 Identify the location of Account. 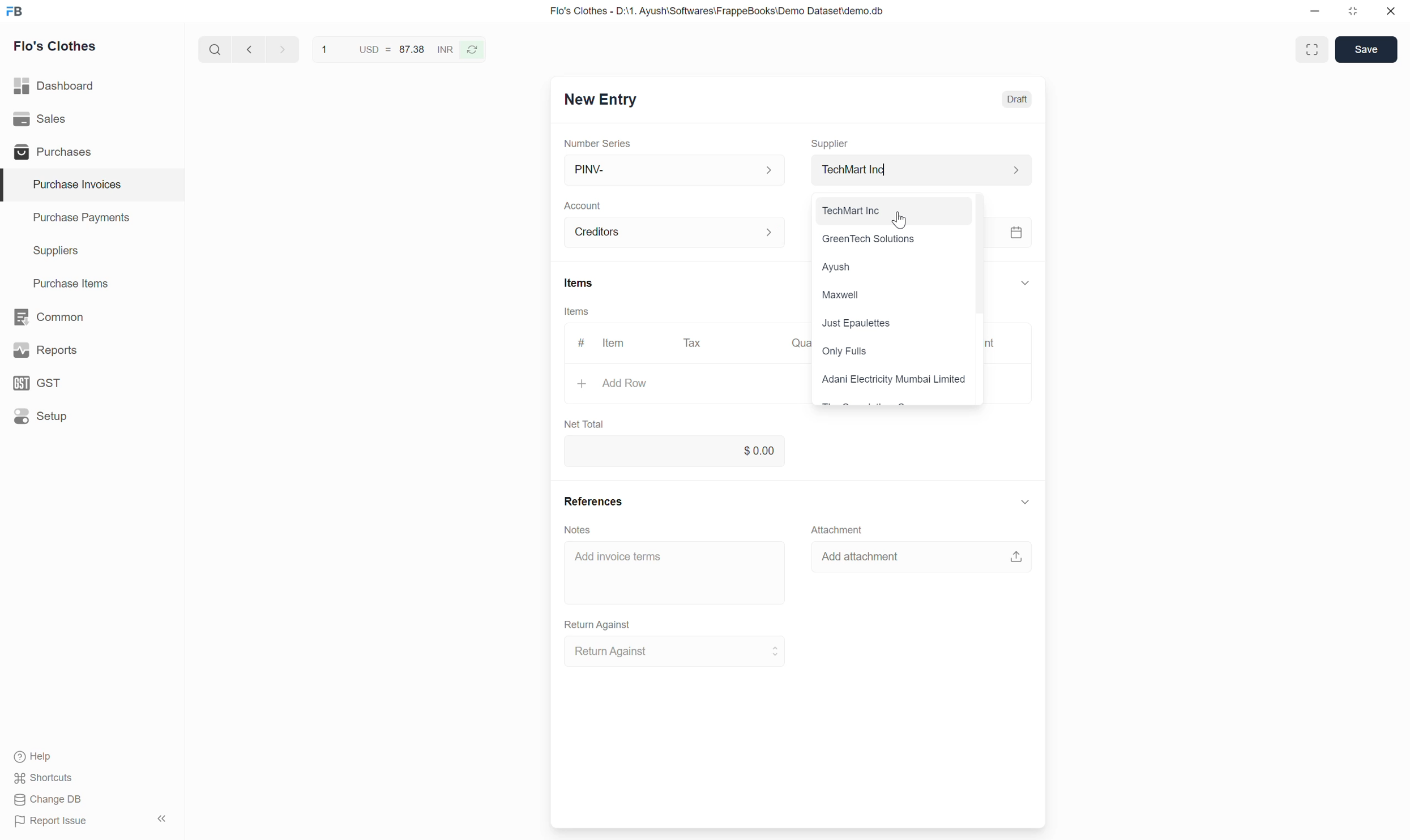
(586, 202).